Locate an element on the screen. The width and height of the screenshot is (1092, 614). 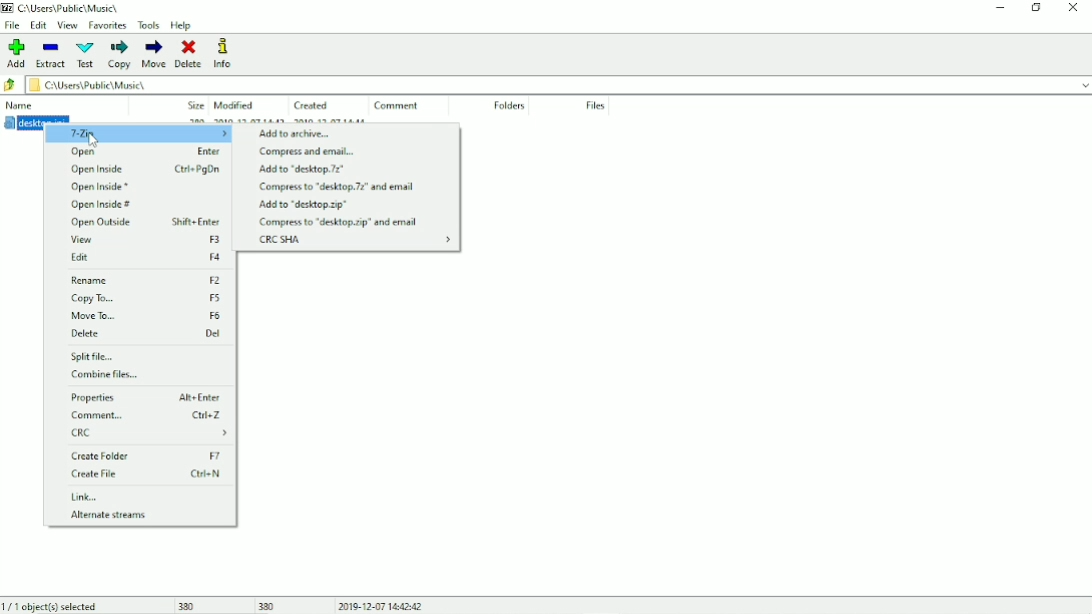
expand is located at coordinates (449, 241).